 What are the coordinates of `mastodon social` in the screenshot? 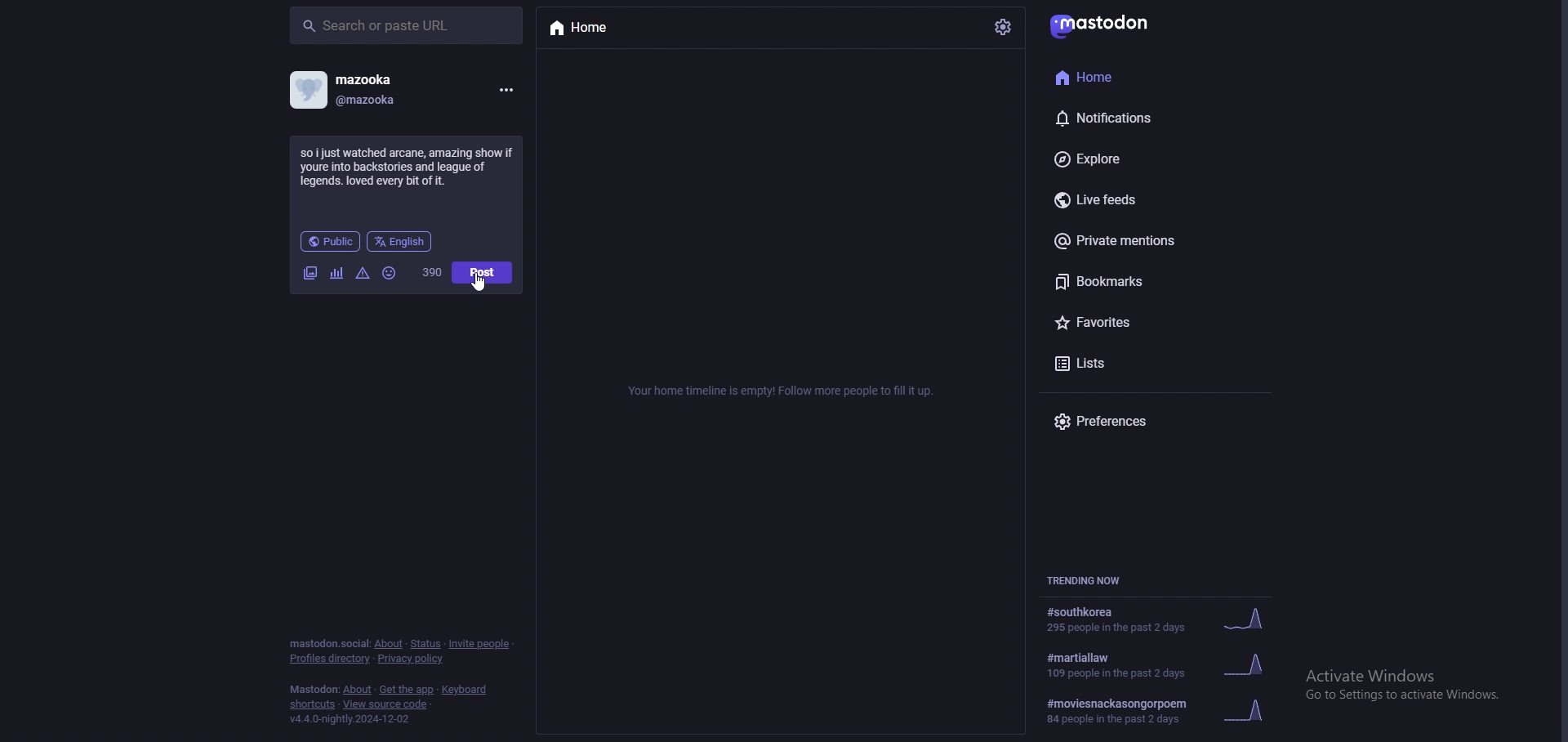 It's located at (327, 643).